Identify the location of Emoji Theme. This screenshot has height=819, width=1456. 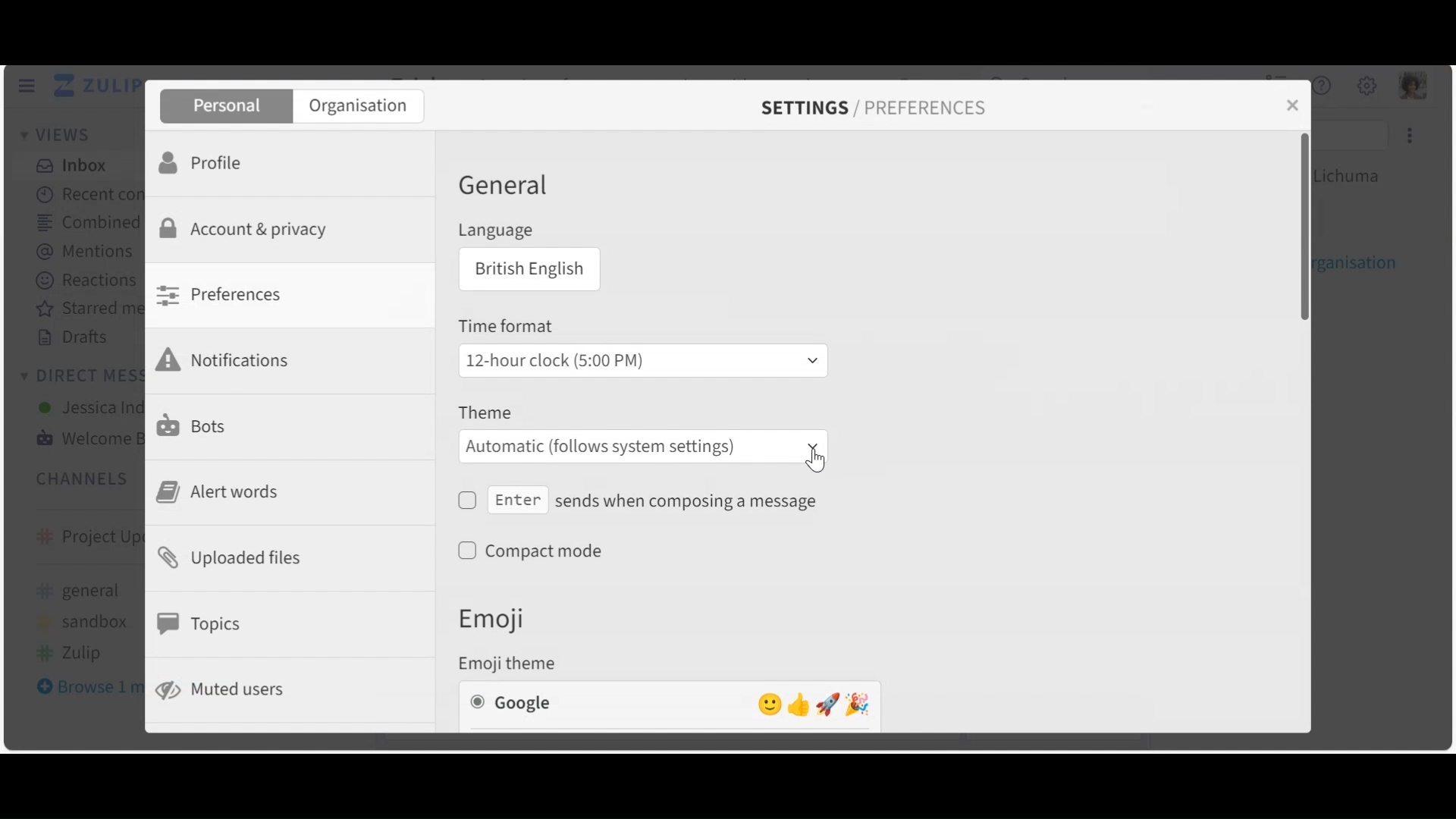
(513, 662).